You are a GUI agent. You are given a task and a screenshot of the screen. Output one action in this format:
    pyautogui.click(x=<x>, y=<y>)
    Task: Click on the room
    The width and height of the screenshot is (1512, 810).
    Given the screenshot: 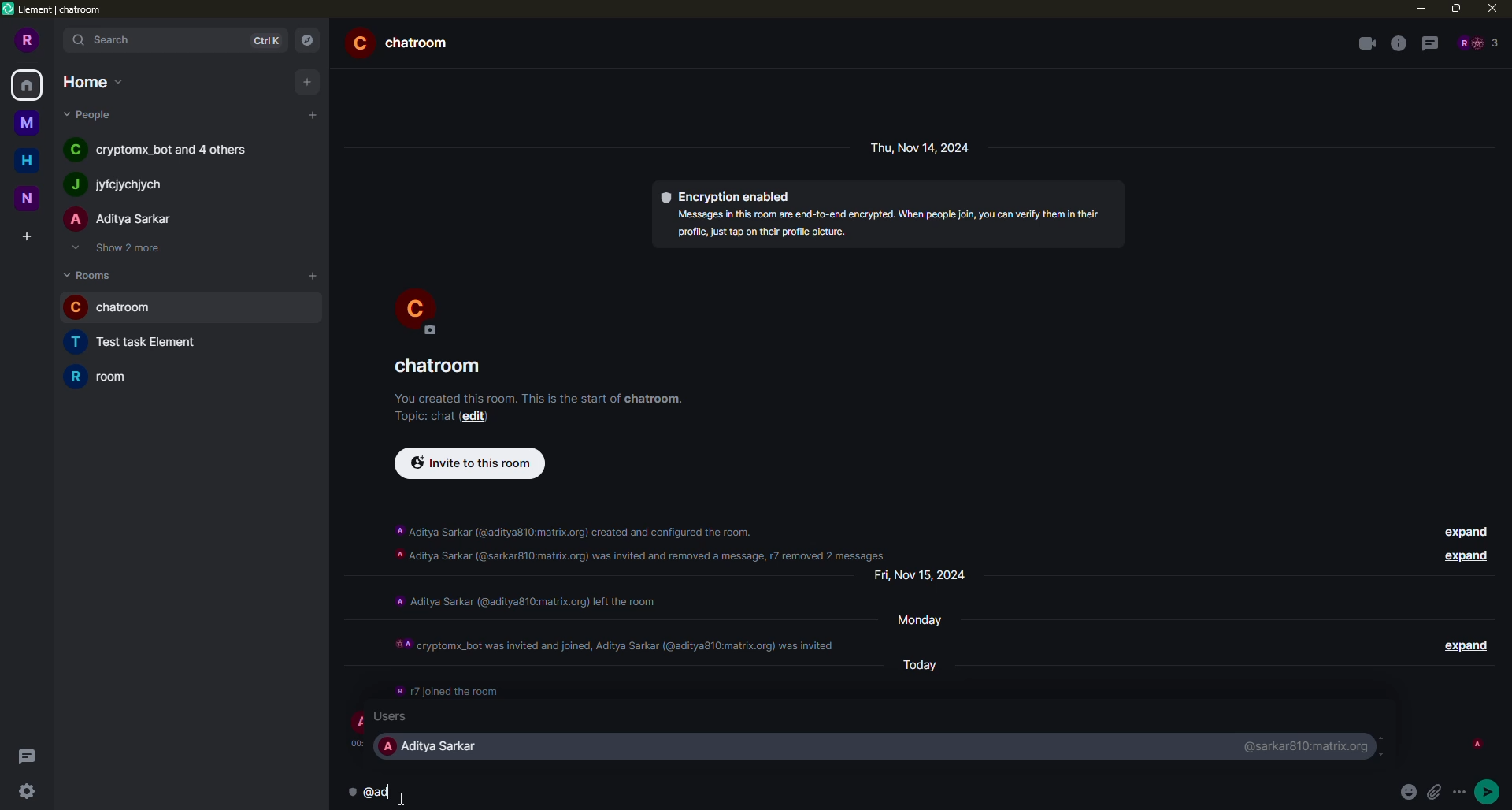 What is the action you would take?
    pyautogui.click(x=109, y=376)
    